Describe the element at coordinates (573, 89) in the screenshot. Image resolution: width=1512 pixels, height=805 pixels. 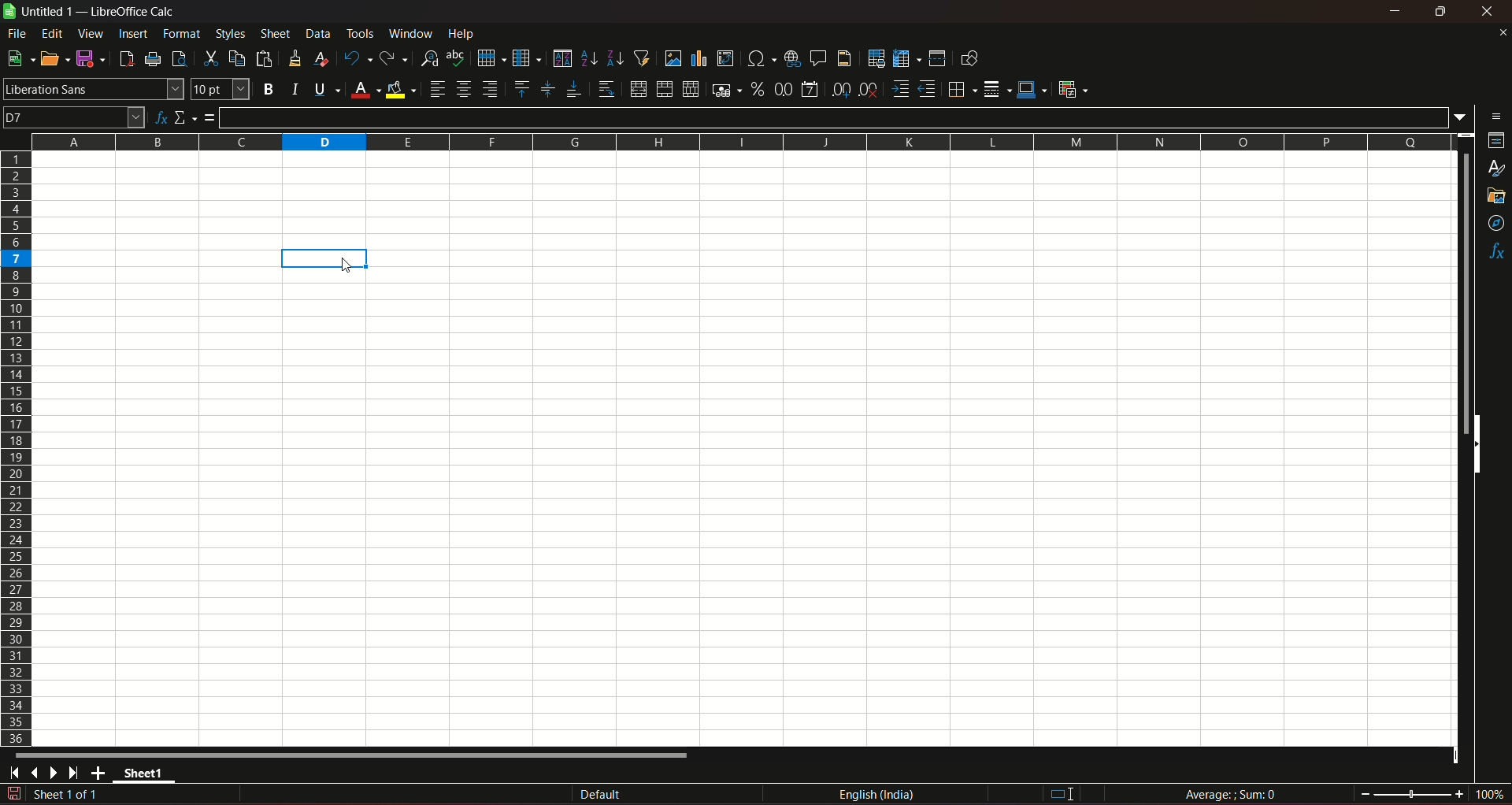
I see `align bottom` at that location.